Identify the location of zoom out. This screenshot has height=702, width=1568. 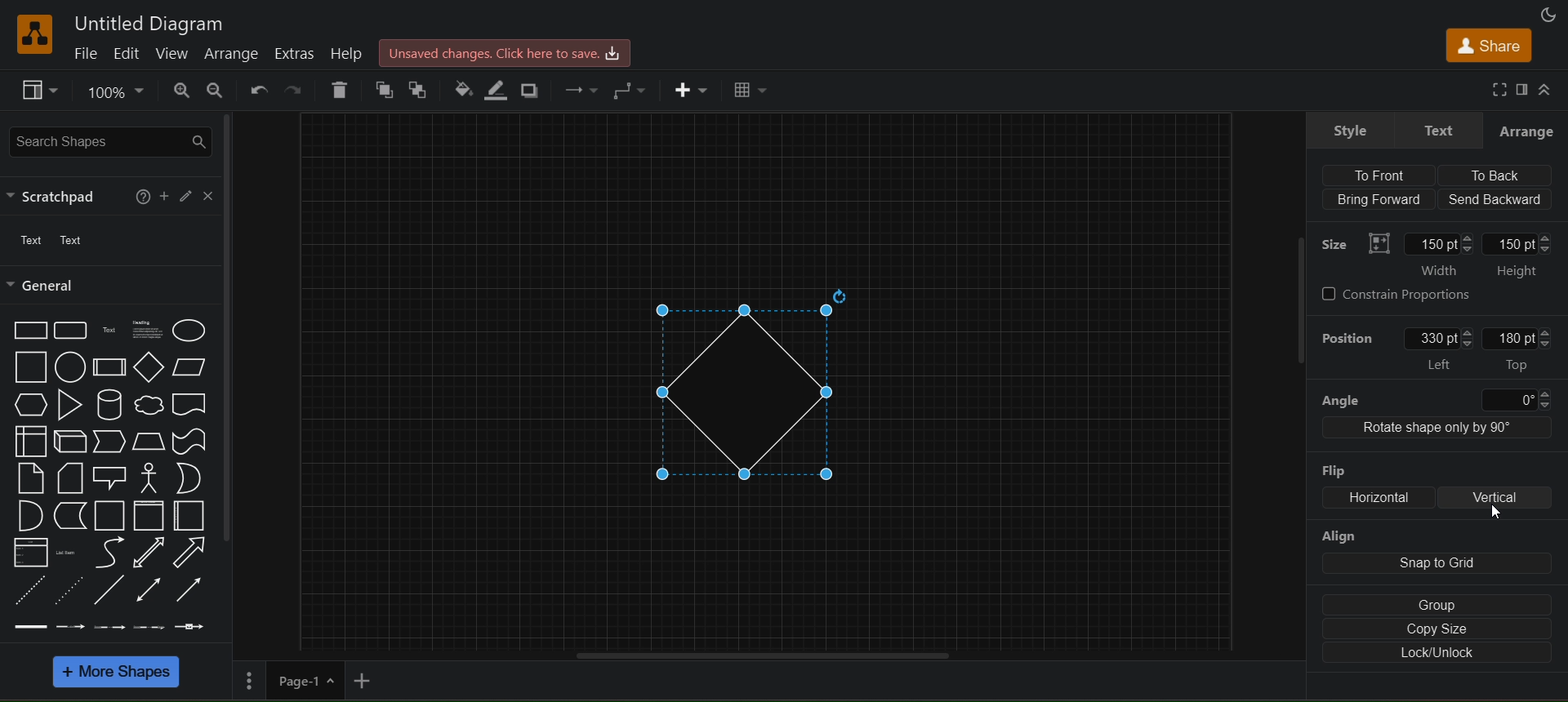
(217, 90).